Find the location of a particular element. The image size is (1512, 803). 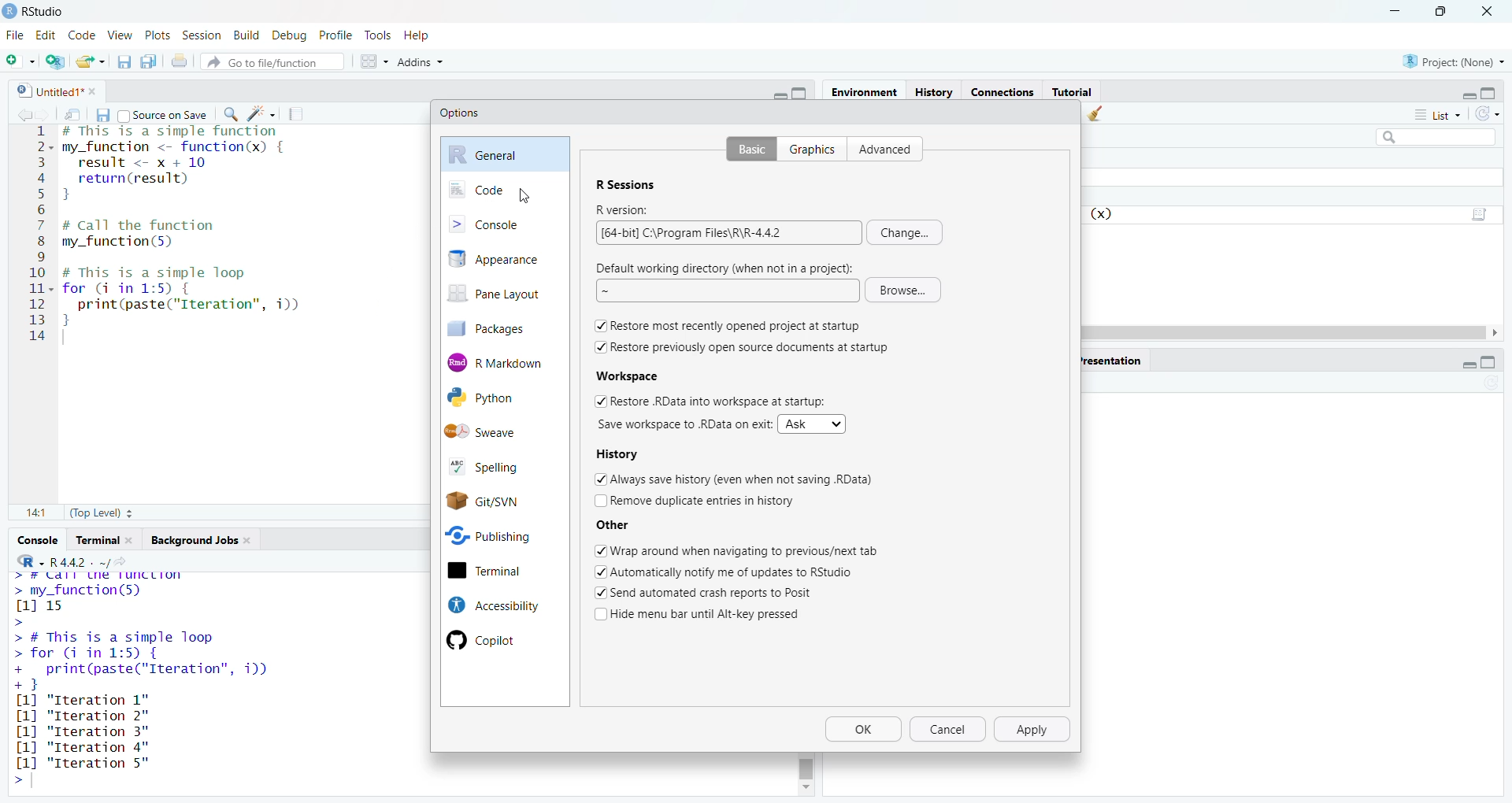

project: (None) is located at coordinates (1455, 62).